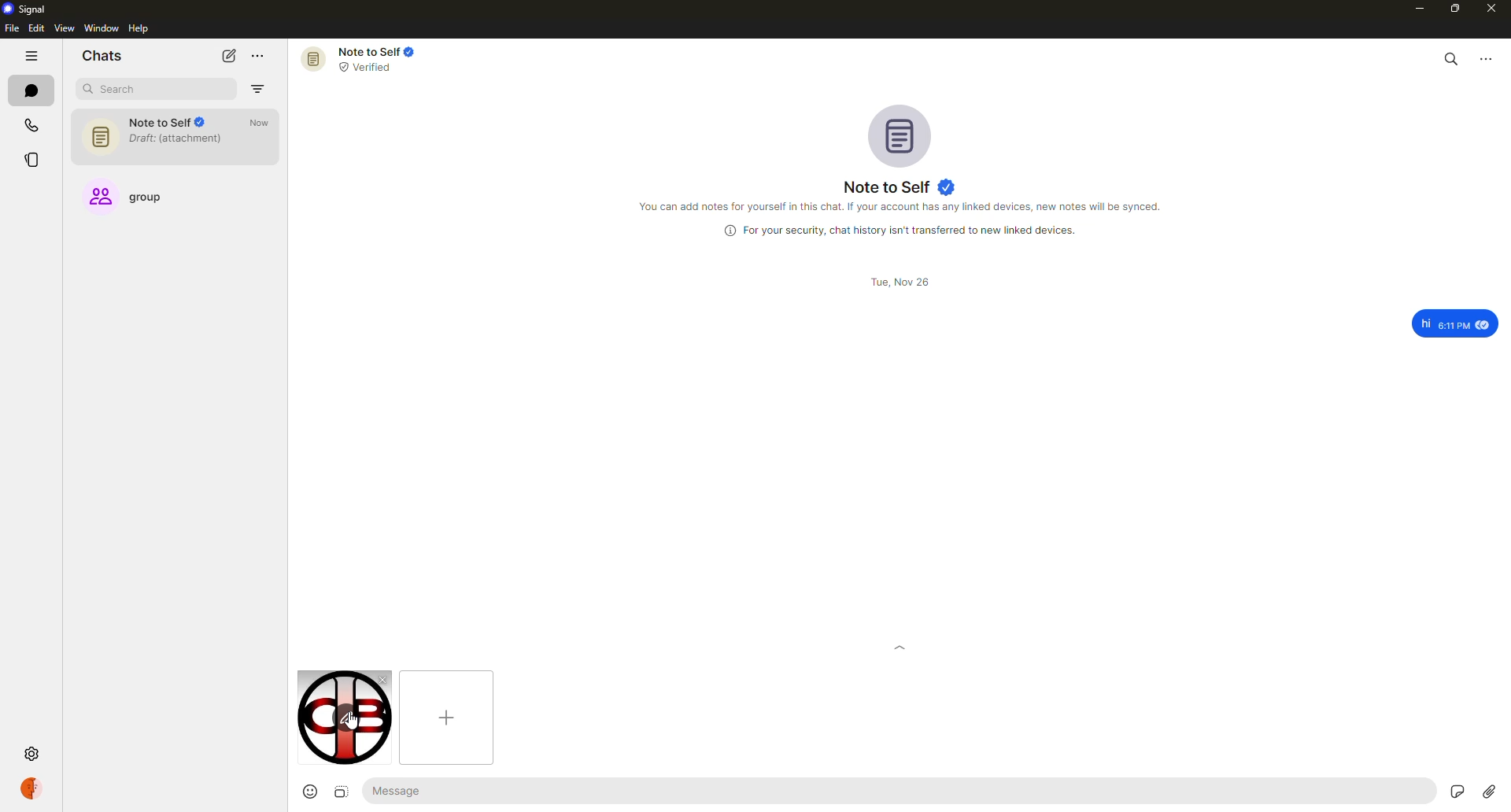 The height and width of the screenshot is (812, 1511). I want to click on note to self, so click(900, 187).